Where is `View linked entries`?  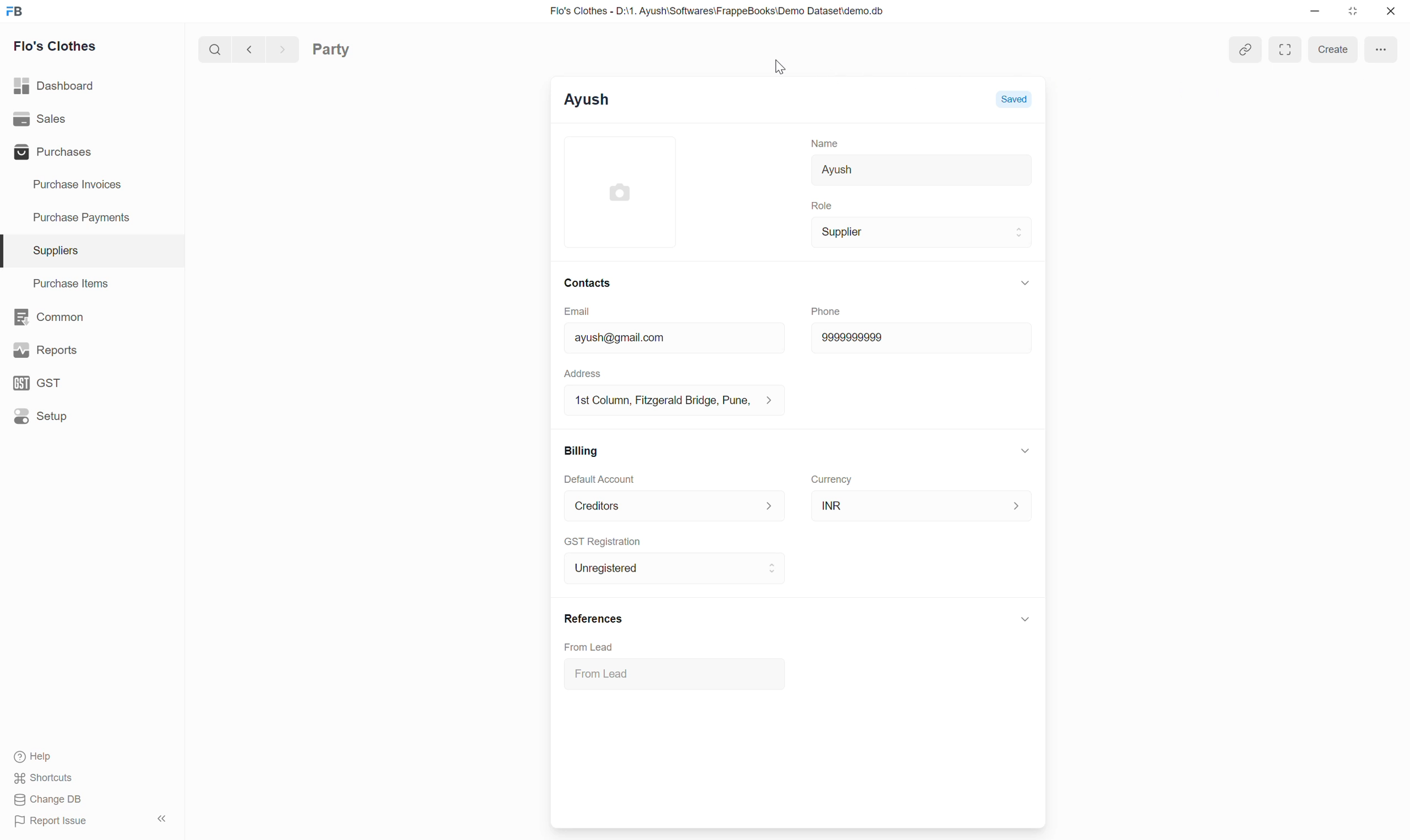
View linked entries is located at coordinates (1245, 49).